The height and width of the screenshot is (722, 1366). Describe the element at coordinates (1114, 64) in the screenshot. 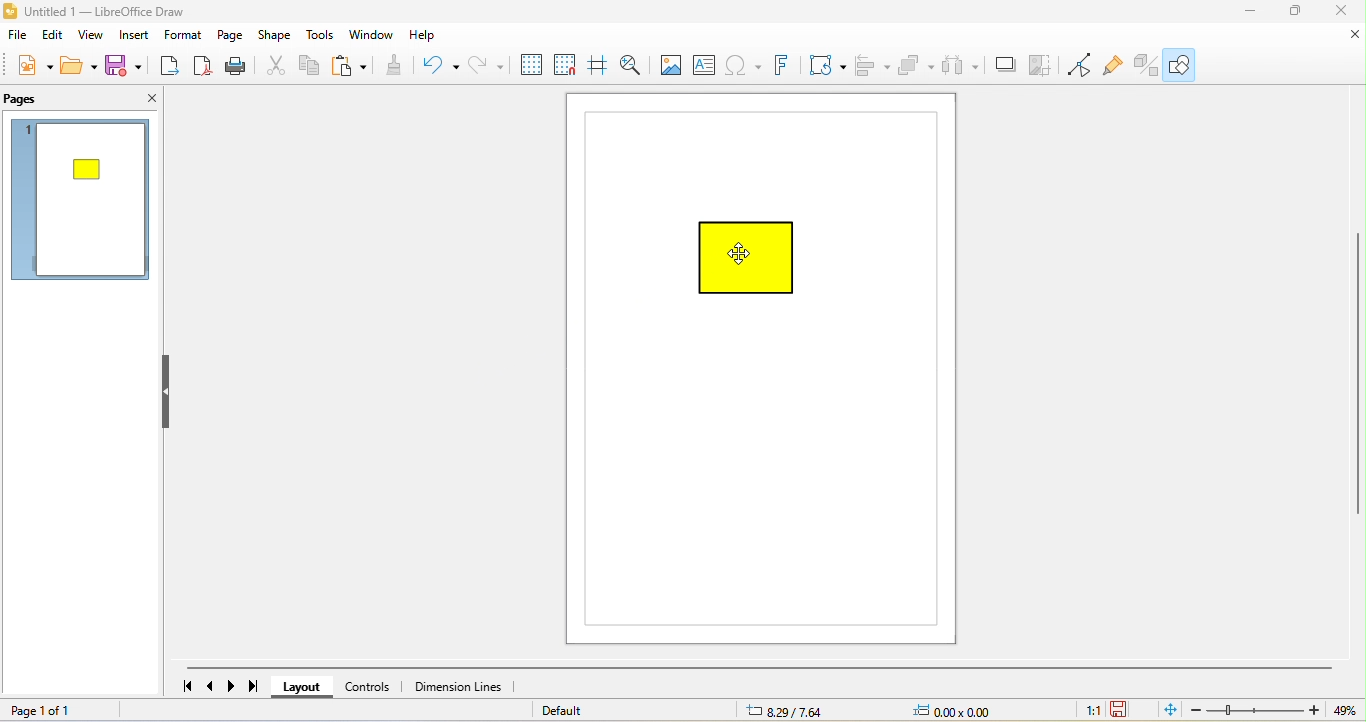

I see `show gluepoint function` at that location.